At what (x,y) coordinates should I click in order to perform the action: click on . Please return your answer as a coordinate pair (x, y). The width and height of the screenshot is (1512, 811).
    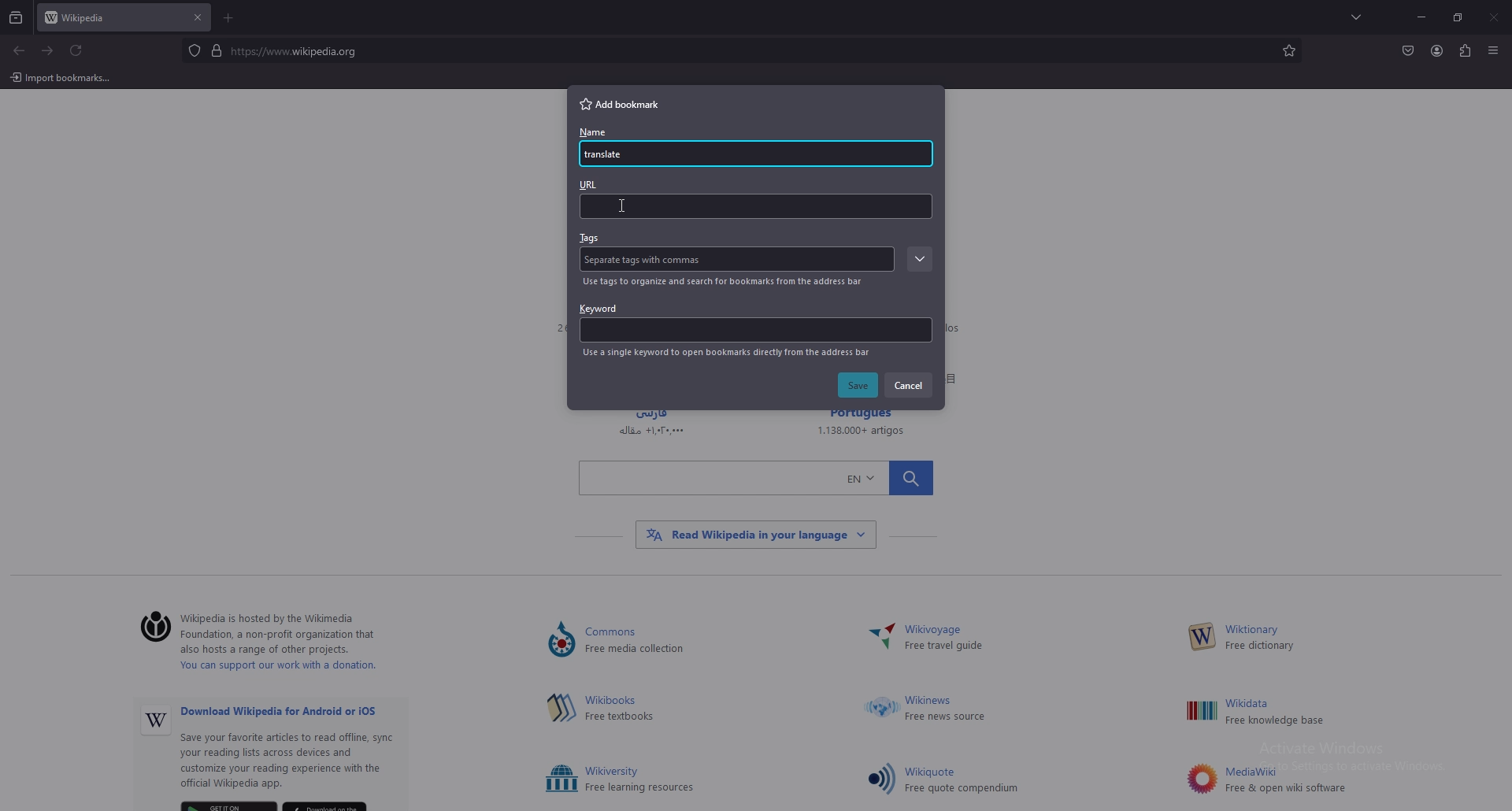
    Looking at the image, I should click on (755, 535).